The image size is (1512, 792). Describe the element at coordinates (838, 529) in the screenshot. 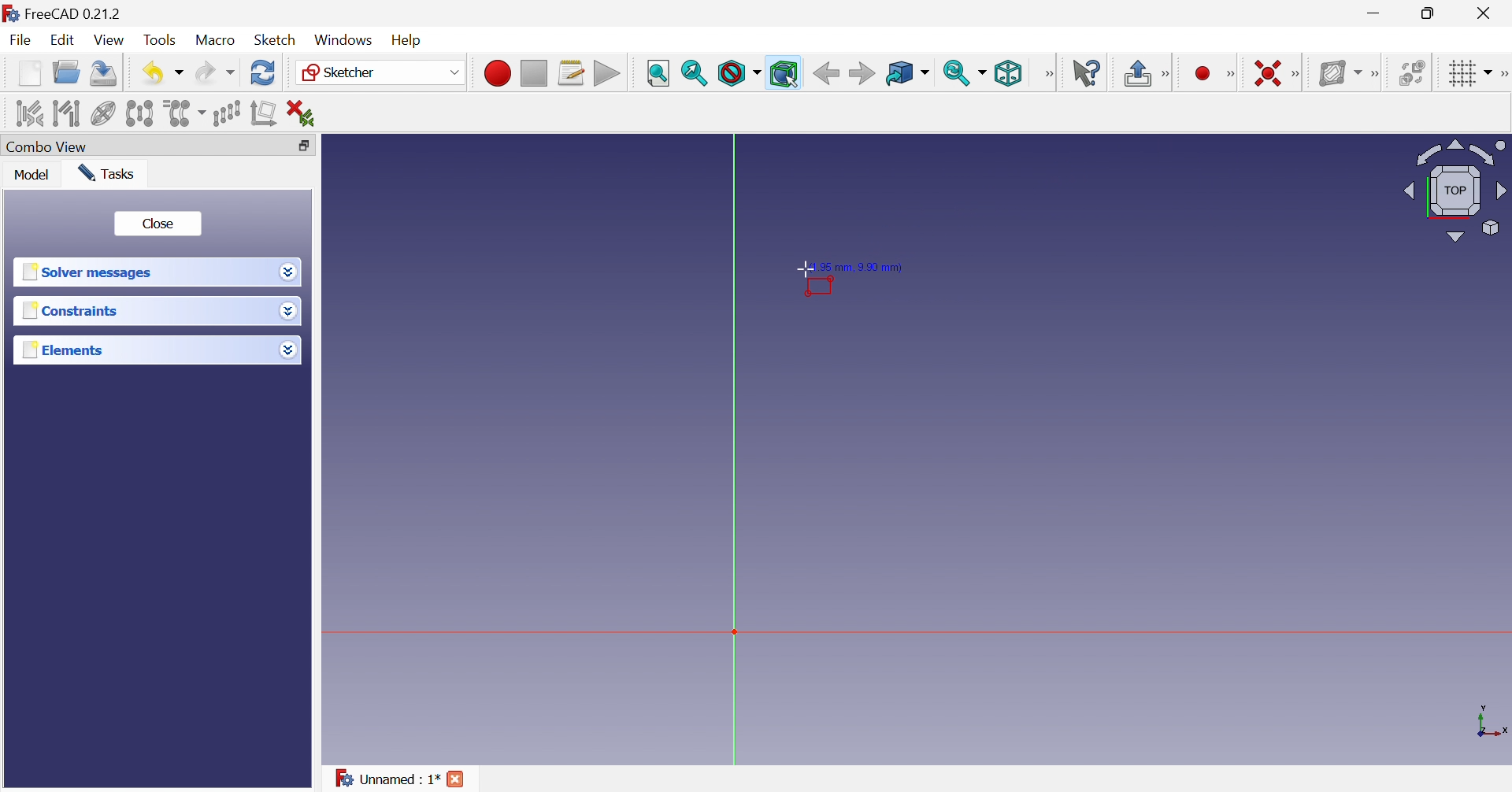

I see `canvas` at that location.